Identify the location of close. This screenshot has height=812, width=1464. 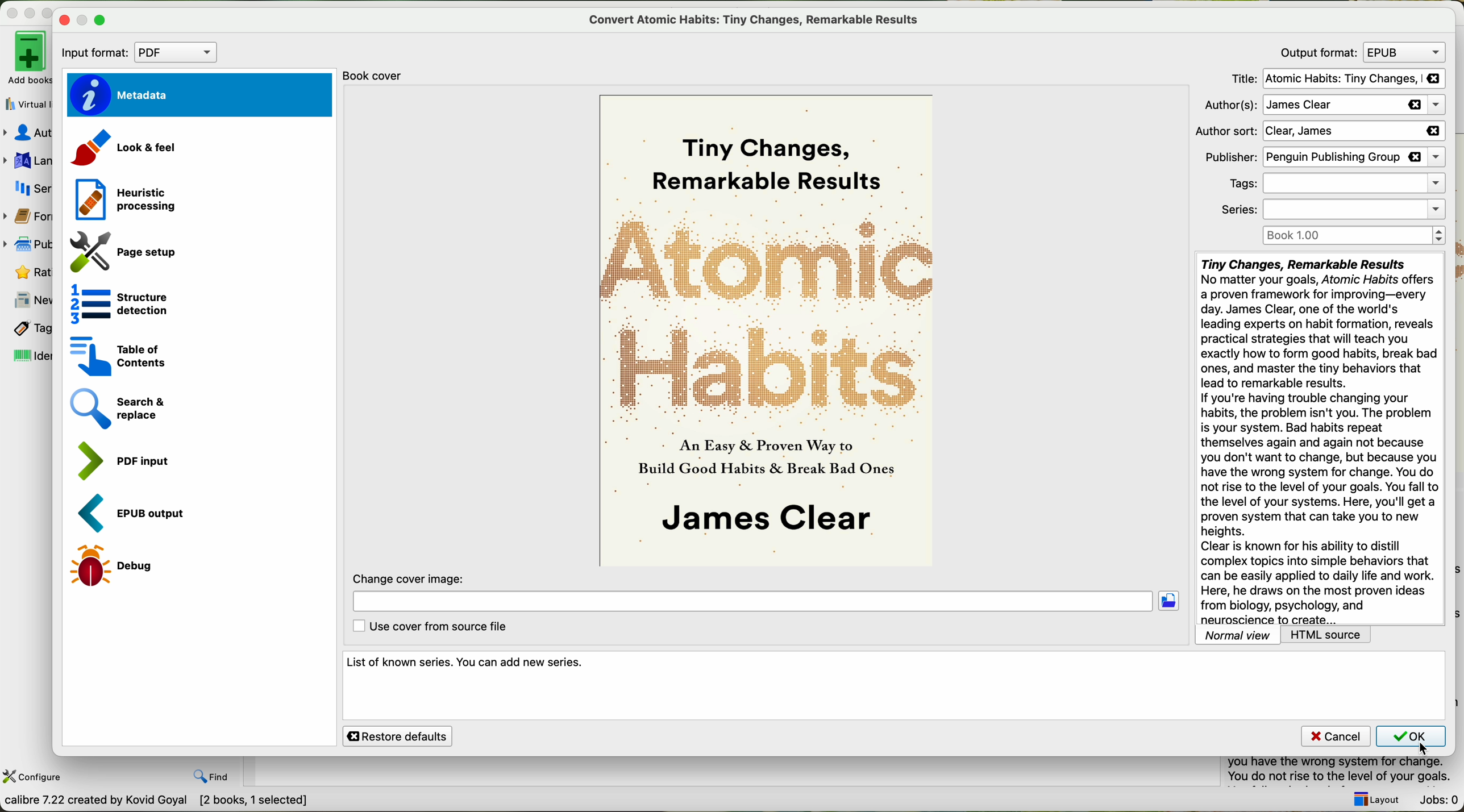
(63, 20).